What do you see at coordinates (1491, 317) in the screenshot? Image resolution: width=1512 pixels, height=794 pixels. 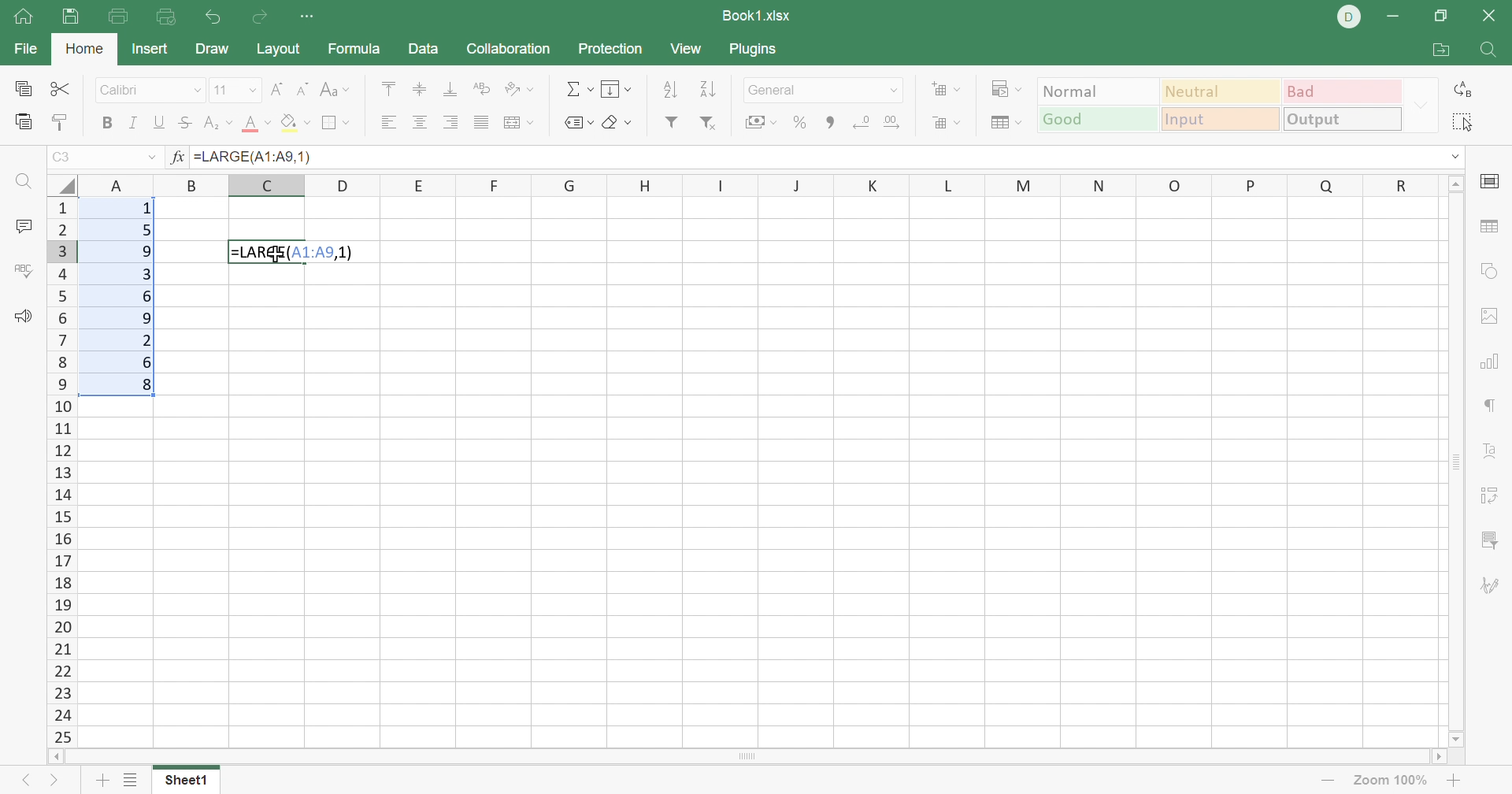 I see `Image settings` at bounding box center [1491, 317].